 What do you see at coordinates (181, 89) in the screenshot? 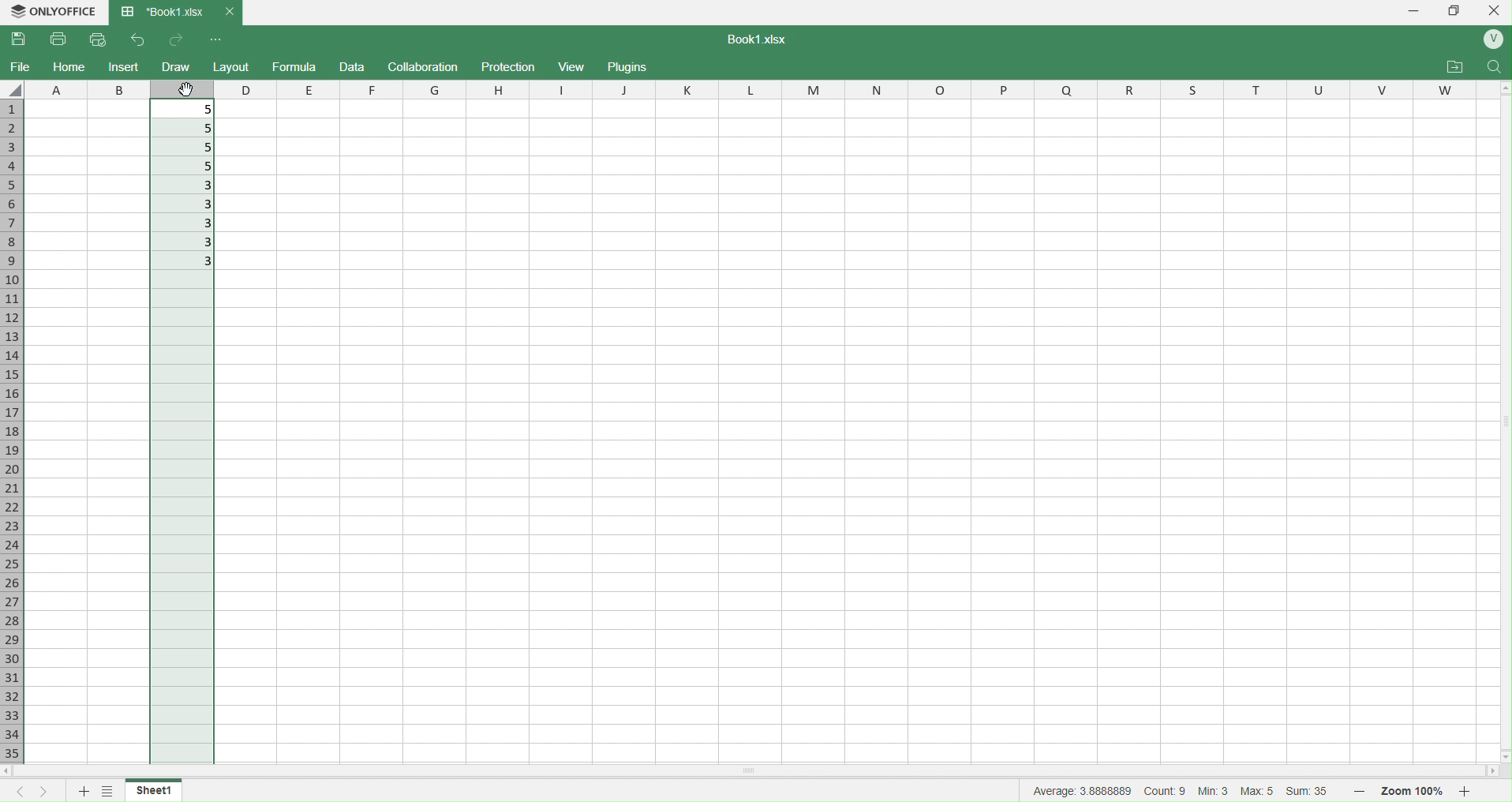
I see `C` at bounding box center [181, 89].